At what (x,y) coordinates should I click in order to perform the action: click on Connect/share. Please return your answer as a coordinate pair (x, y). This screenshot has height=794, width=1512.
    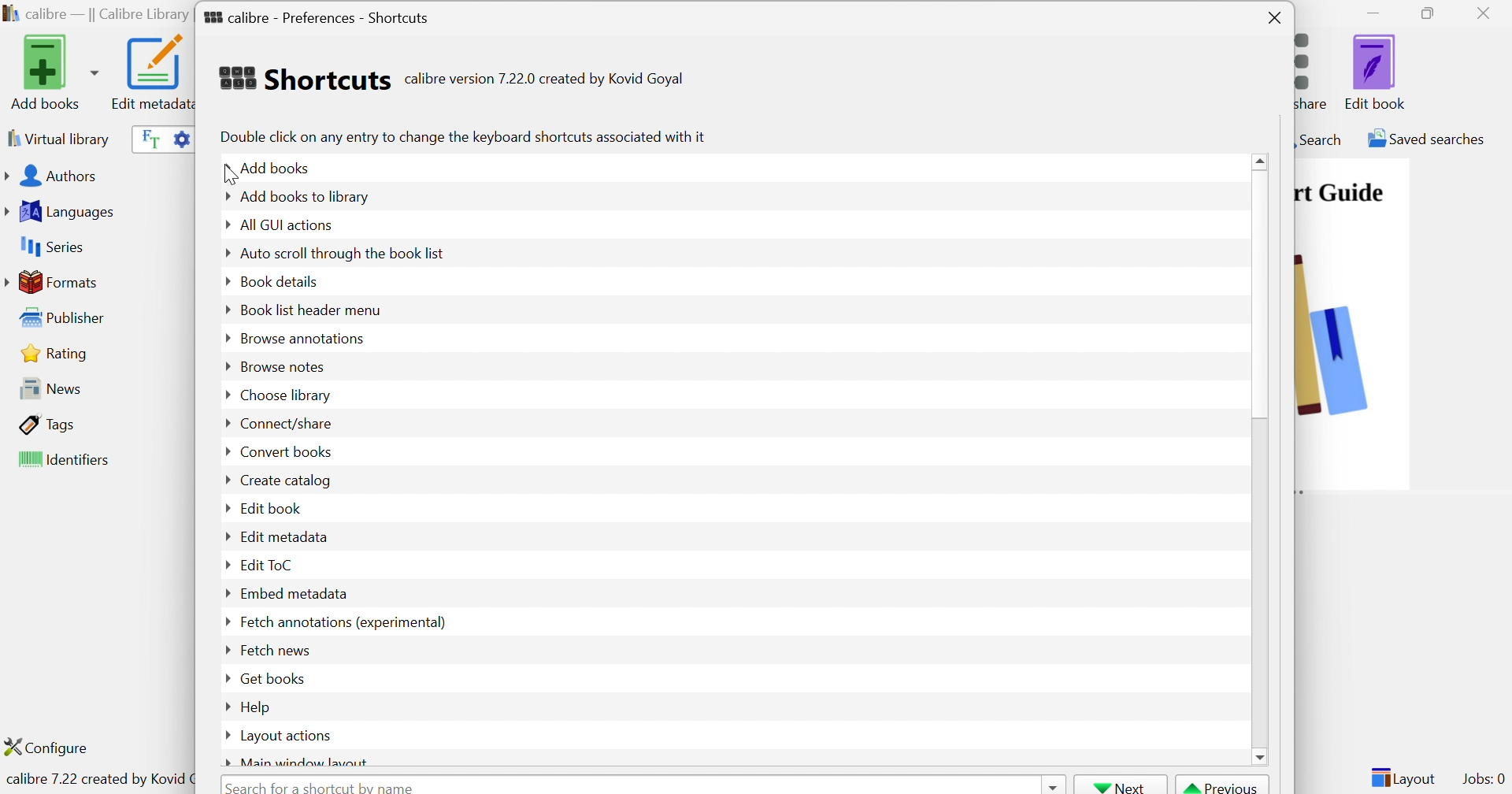
    Looking at the image, I should click on (287, 425).